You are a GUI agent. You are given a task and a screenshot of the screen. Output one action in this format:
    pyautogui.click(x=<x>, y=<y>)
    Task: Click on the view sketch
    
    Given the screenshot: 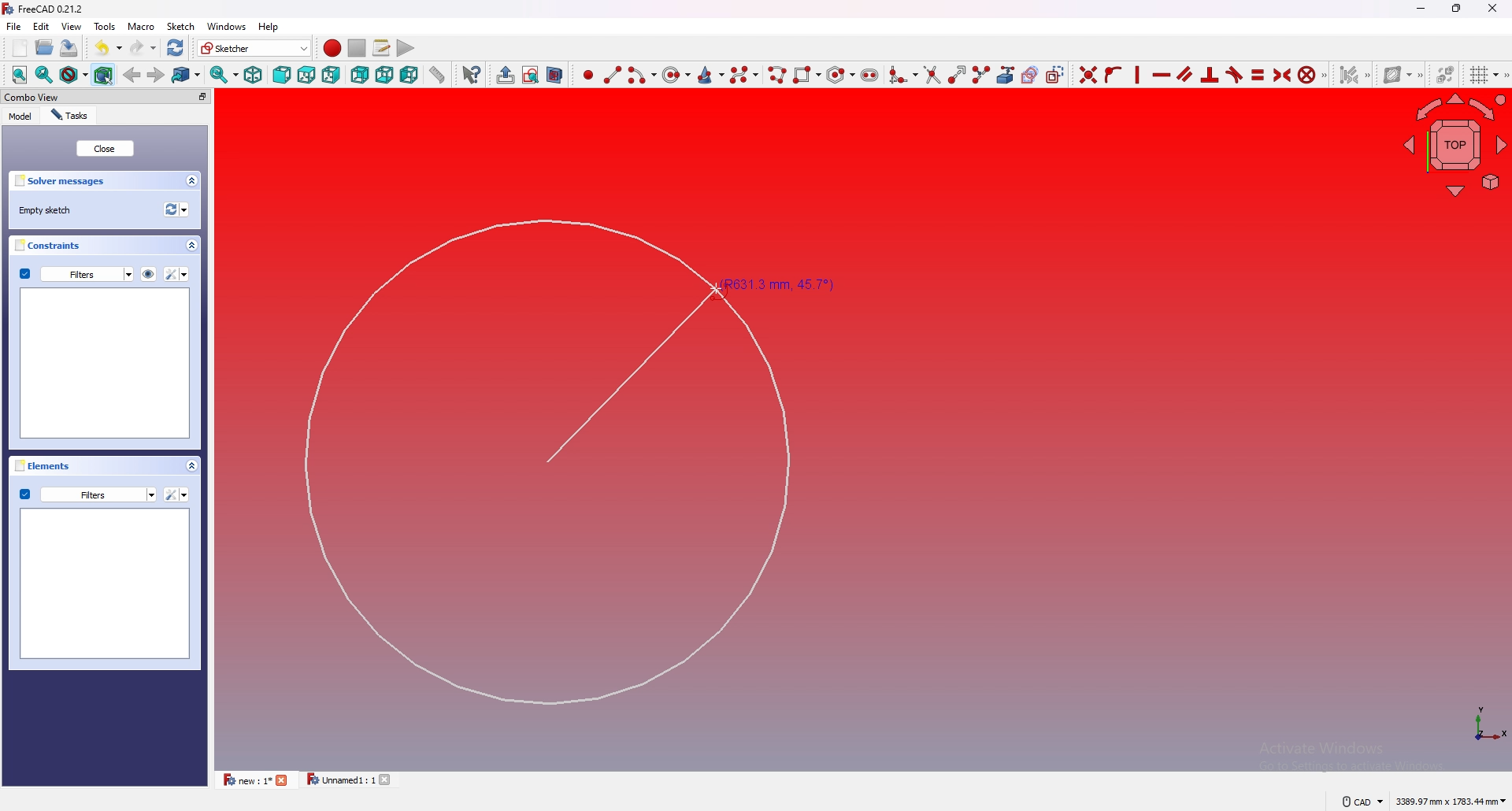 What is the action you would take?
    pyautogui.click(x=531, y=74)
    